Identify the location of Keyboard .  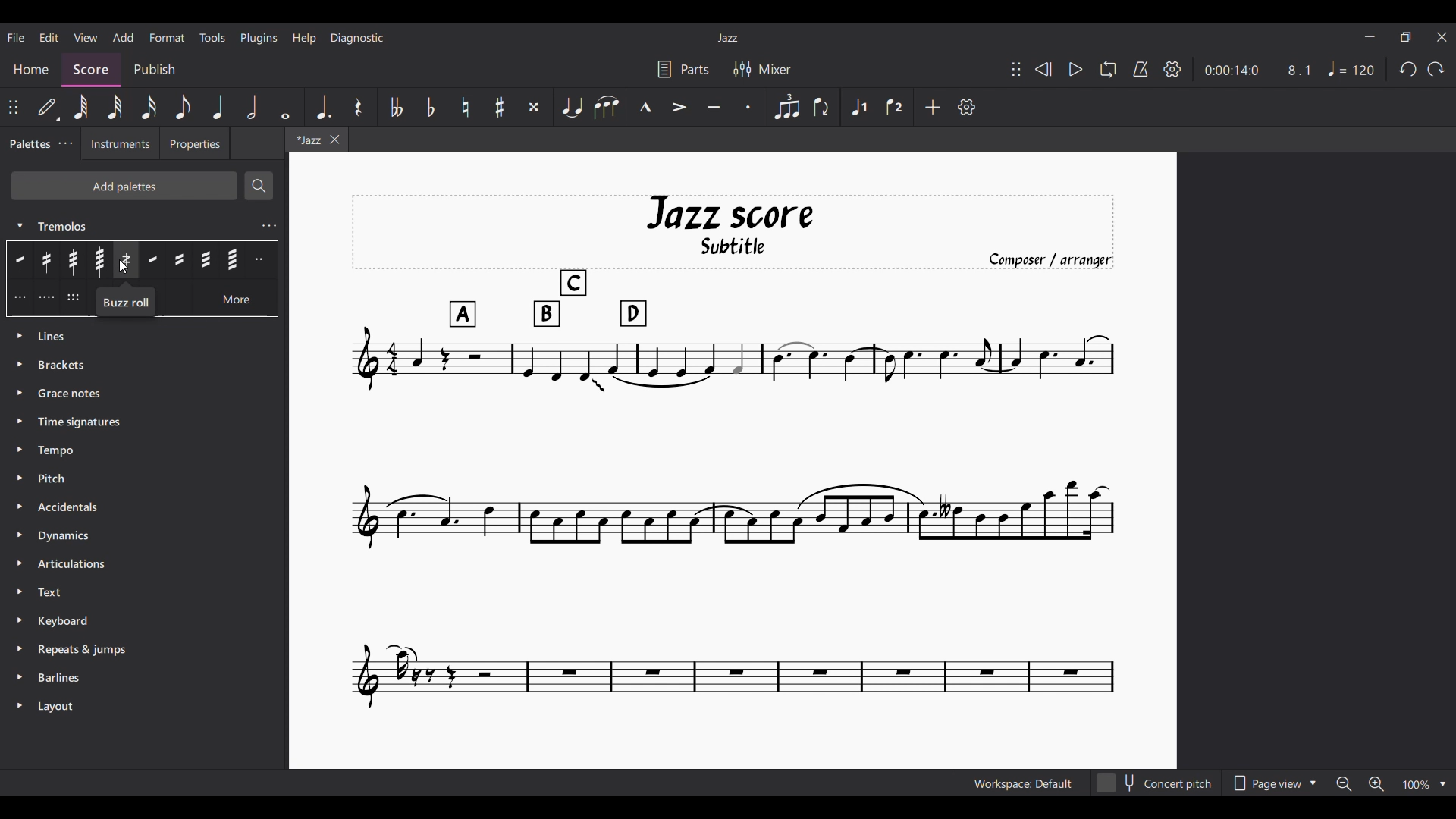
(142, 621).